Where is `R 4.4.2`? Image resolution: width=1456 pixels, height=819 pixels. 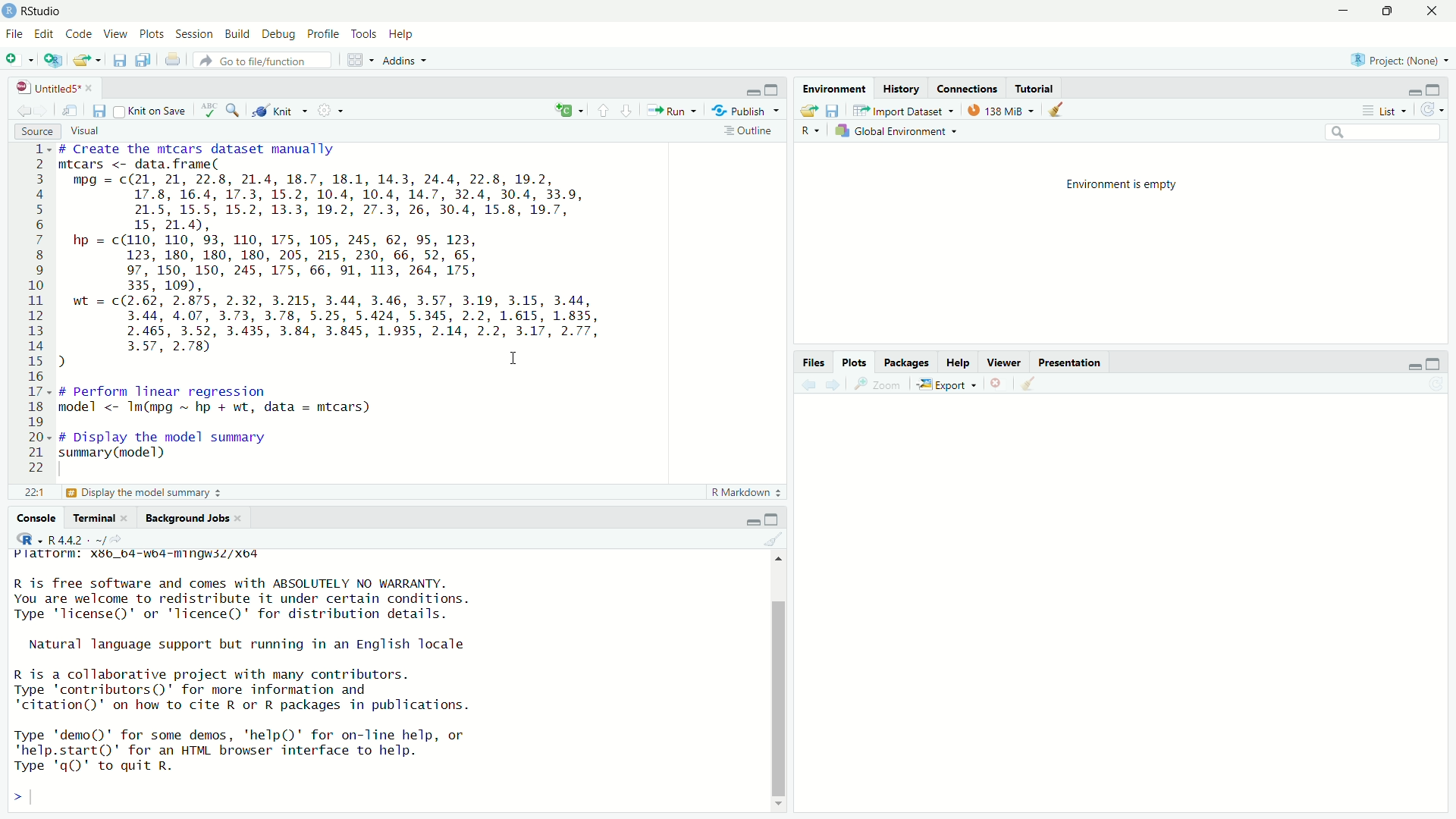 R 4.4.2 is located at coordinates (58, 538).